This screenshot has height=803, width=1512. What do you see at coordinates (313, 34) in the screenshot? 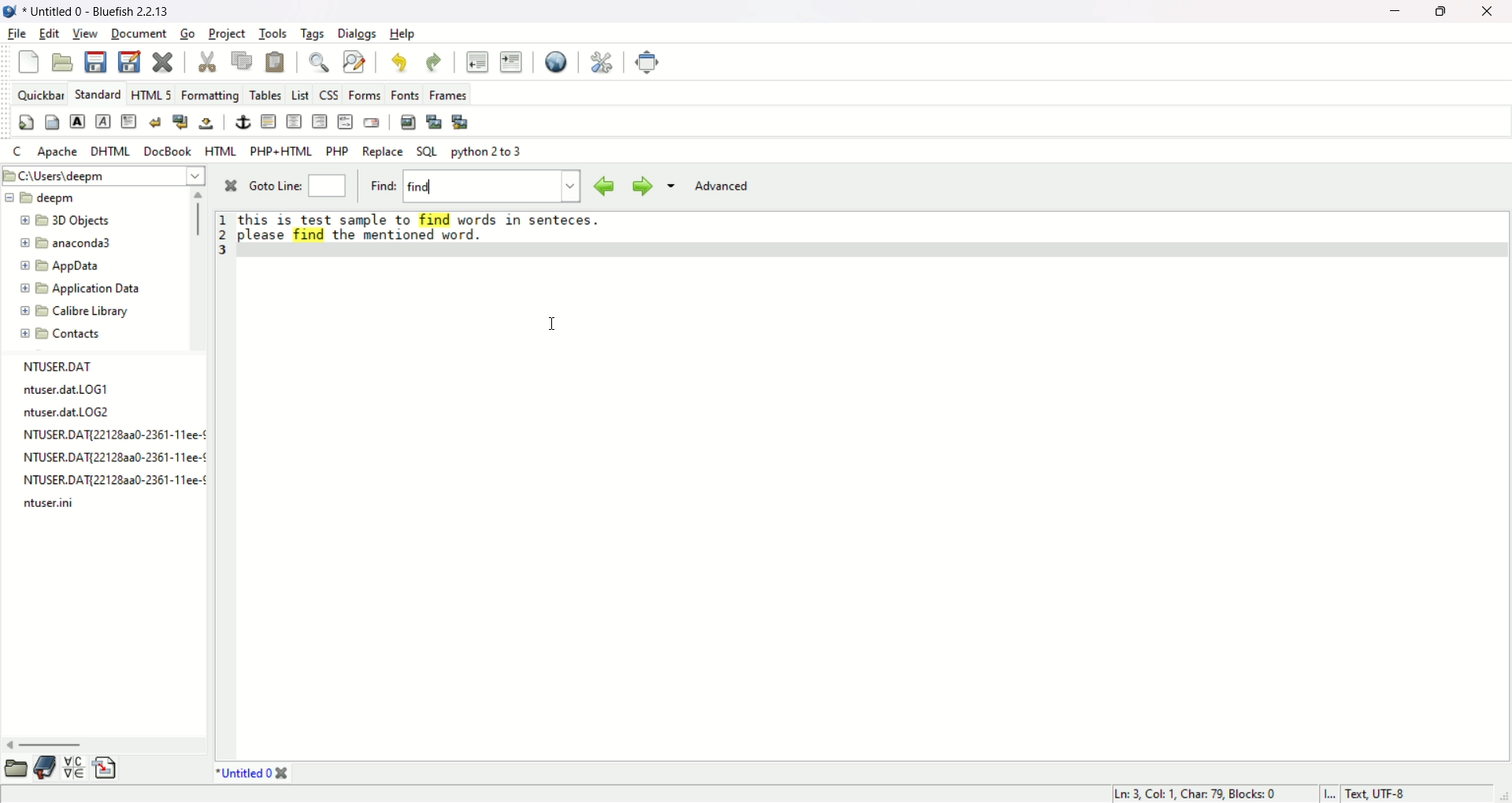
I see `tags` at bounding box center [313, 34].